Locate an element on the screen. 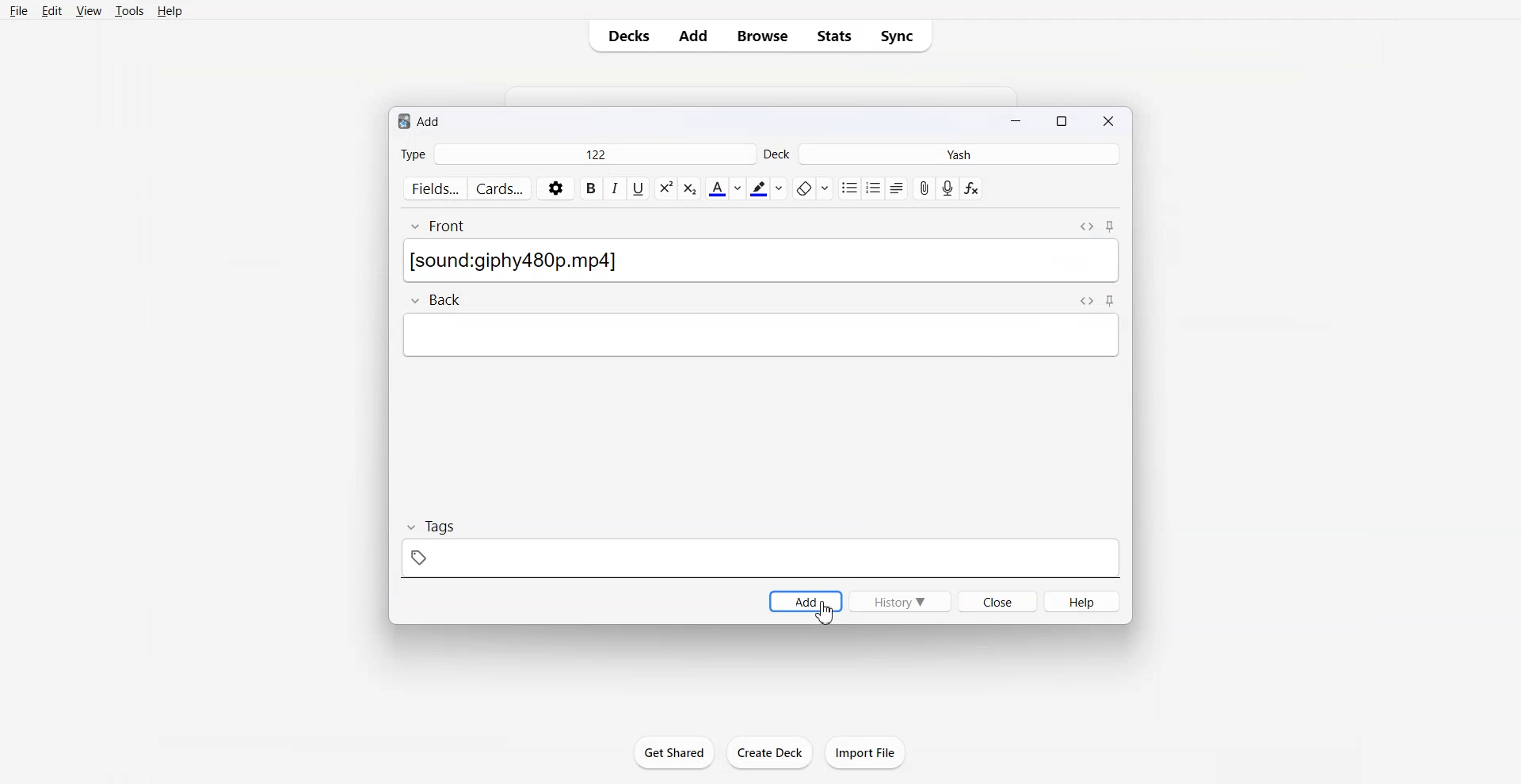 The width and height of the screenshot is (1521, 784). Type is located at coordinates (413, 153).